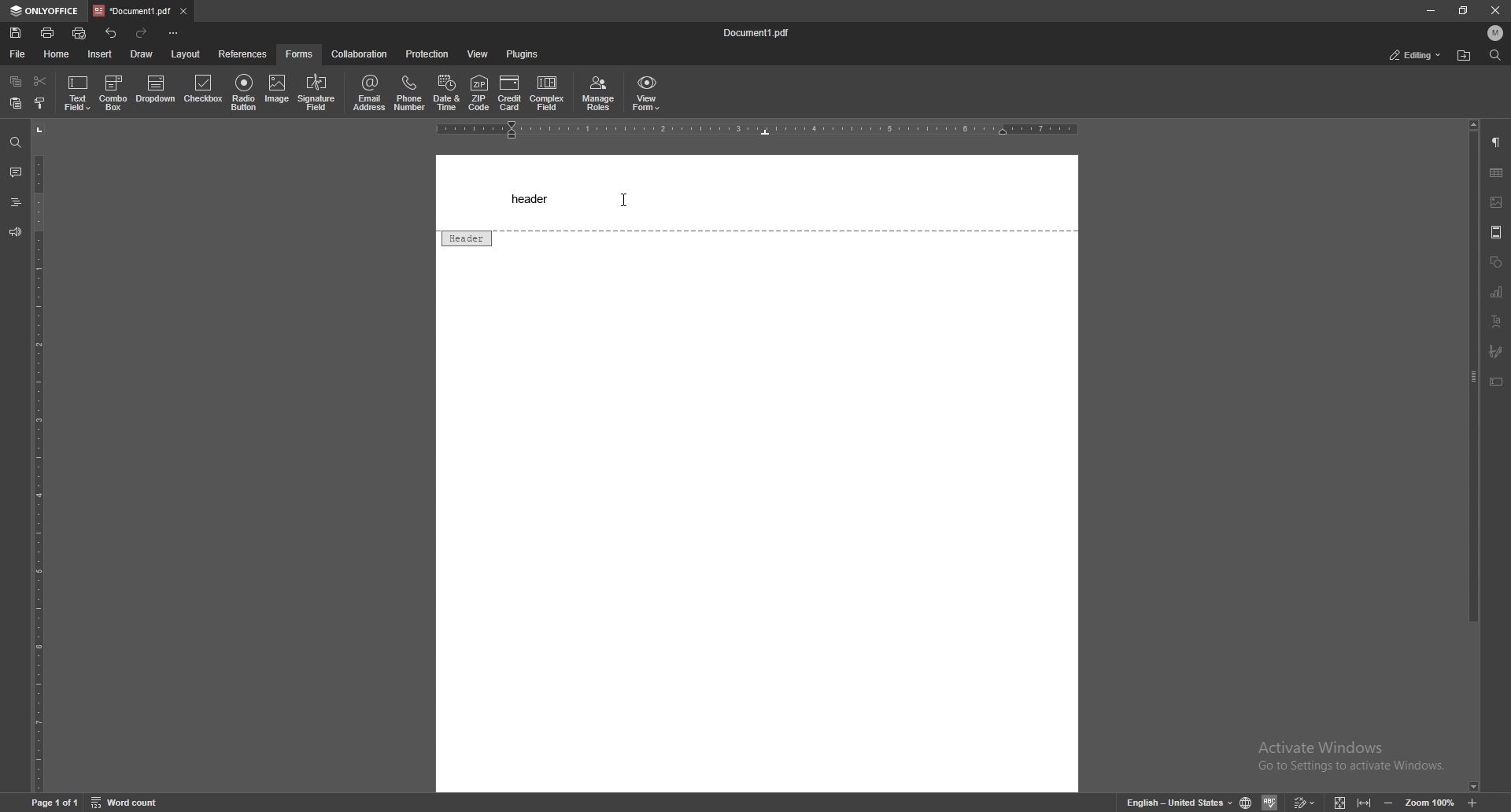 This screenshot has width=1511, height=812. What do you see at coordinates (55, 802) in the screenshot?
I see `page` at bounding box center [55, 802].